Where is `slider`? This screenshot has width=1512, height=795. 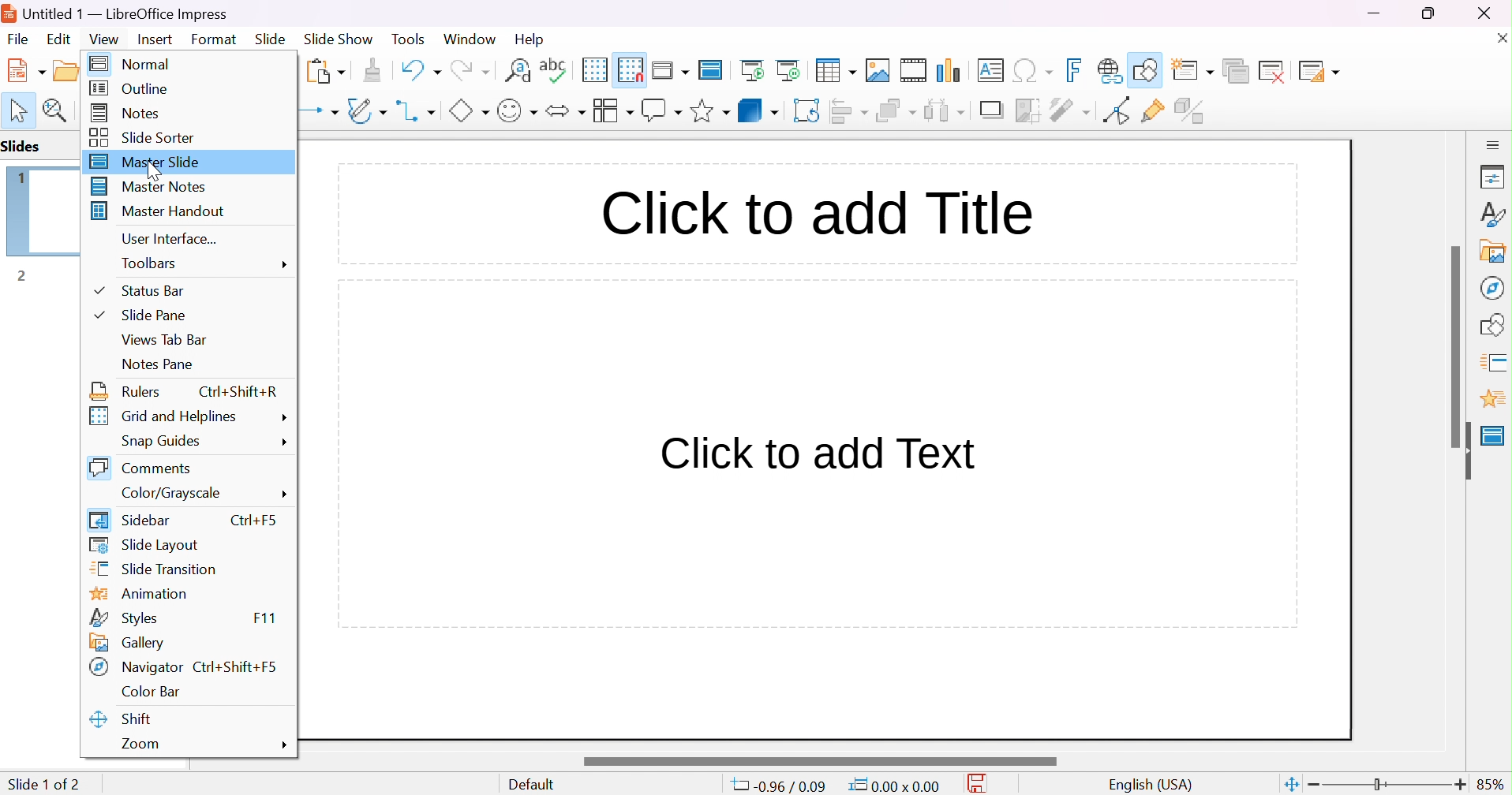
slider is located at coordinates (818, 761).